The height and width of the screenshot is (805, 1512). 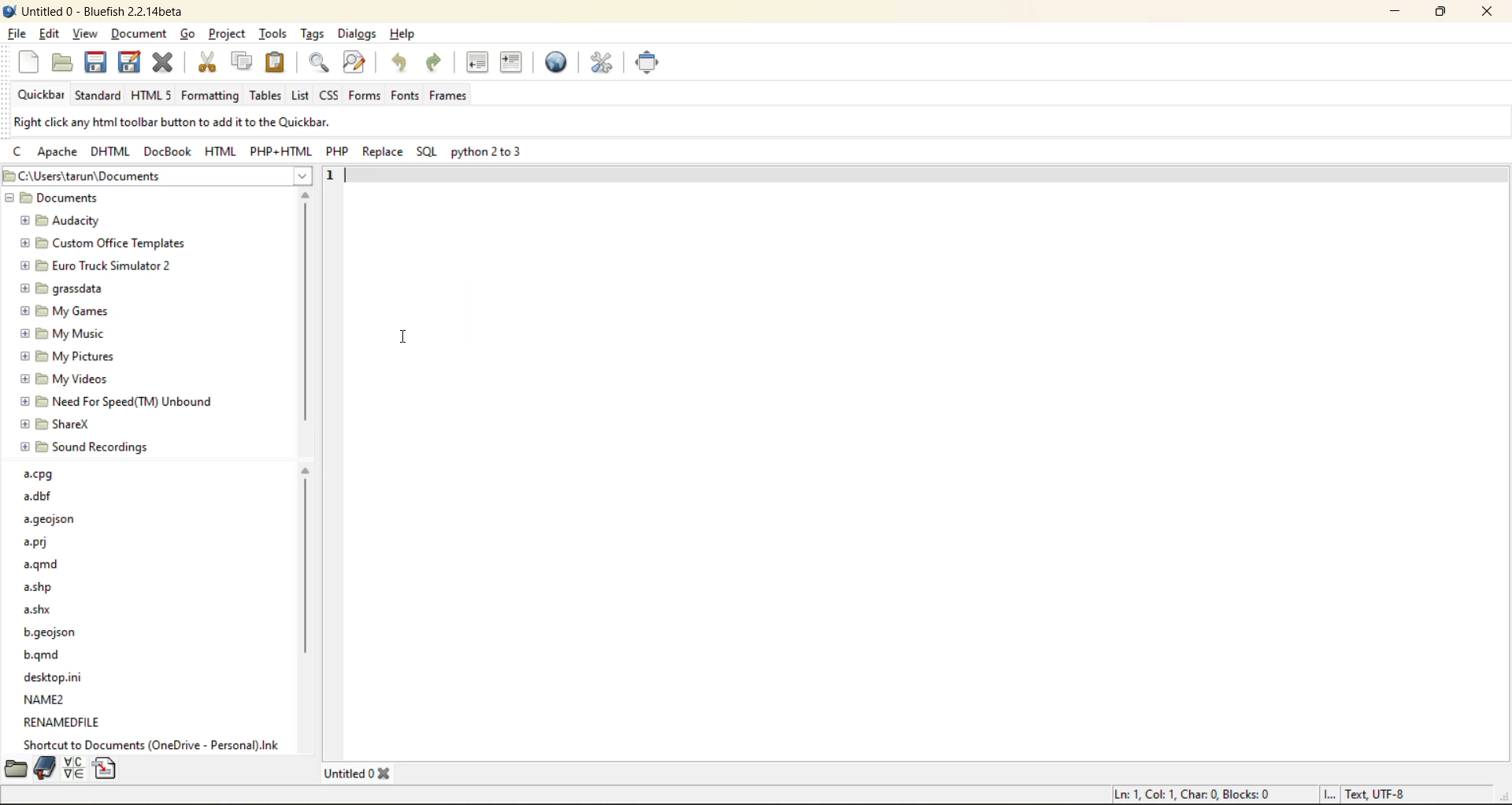 What do you see at coordinates (355, 59) in the screenshot?
I see `find and replace` at bounding box center [355, 59].